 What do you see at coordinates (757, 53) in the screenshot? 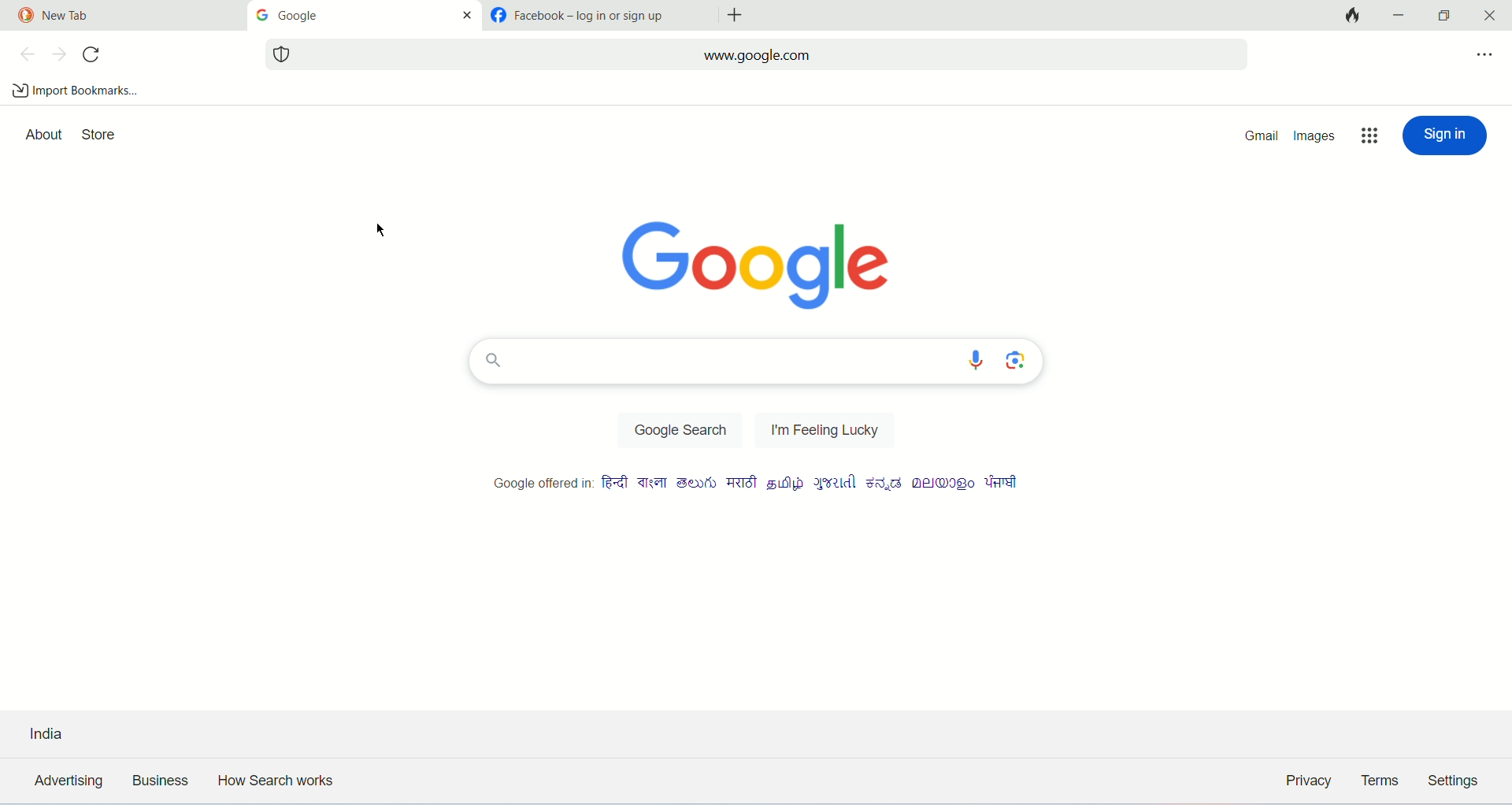
I see `search` at bounding box center [757, 53].